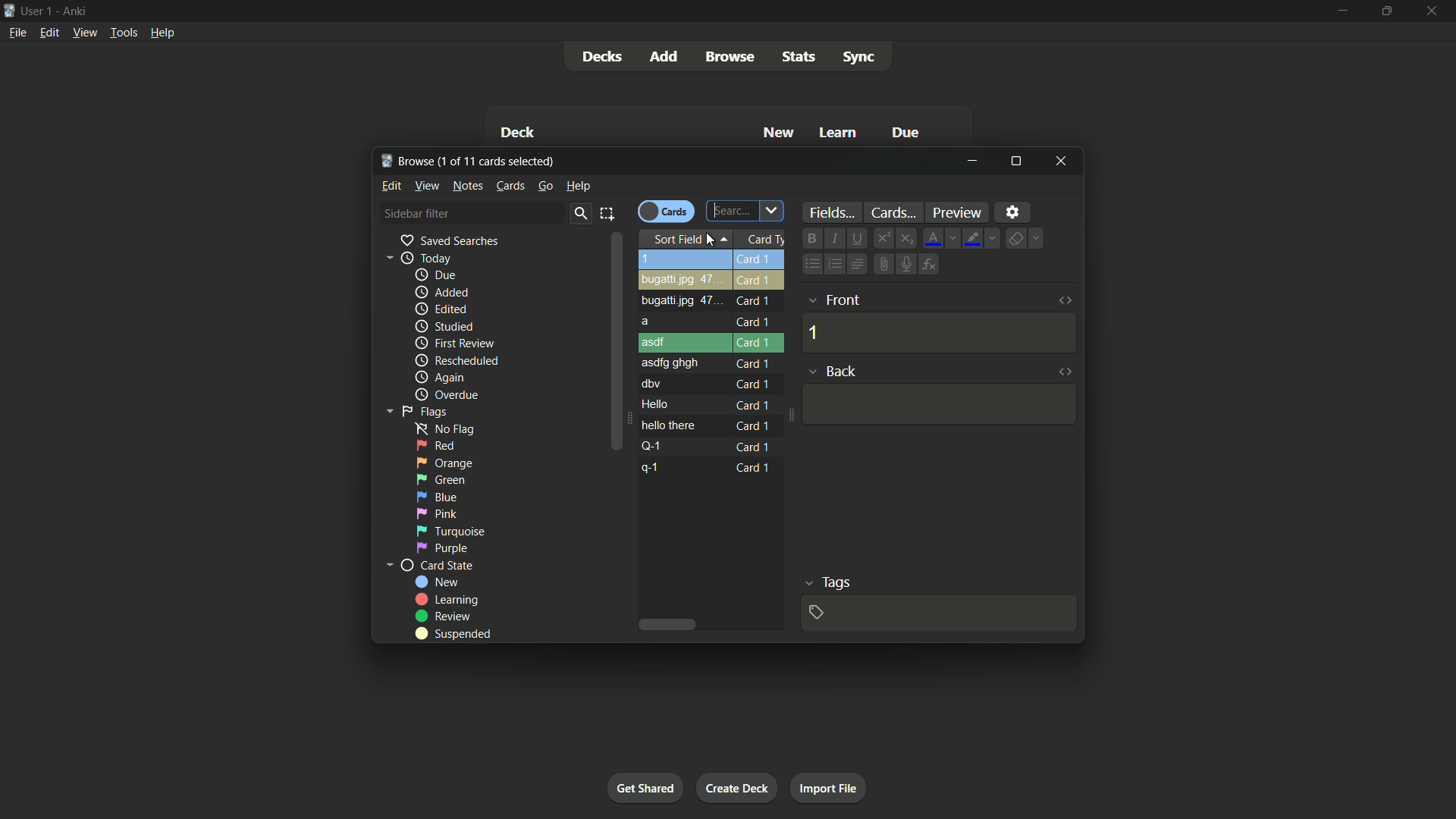 Image resolution: width=1456 pixels, height=819 pixels. Describe the element at coordinates (1337, 11) in the screenshot. I see `minimize` at that location.